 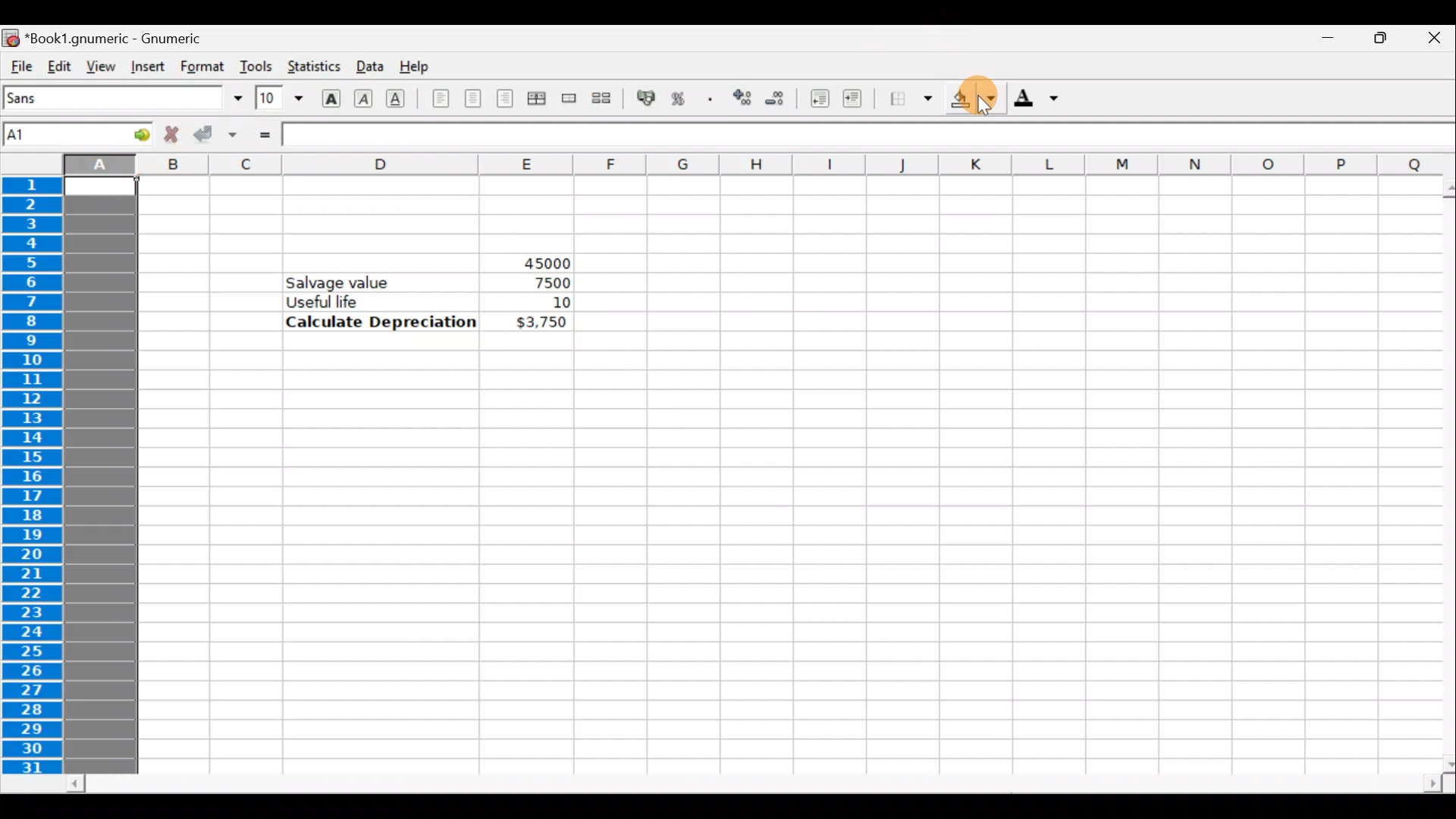 I want to click on Increase the number of decimals, so click(x=741, y=99).